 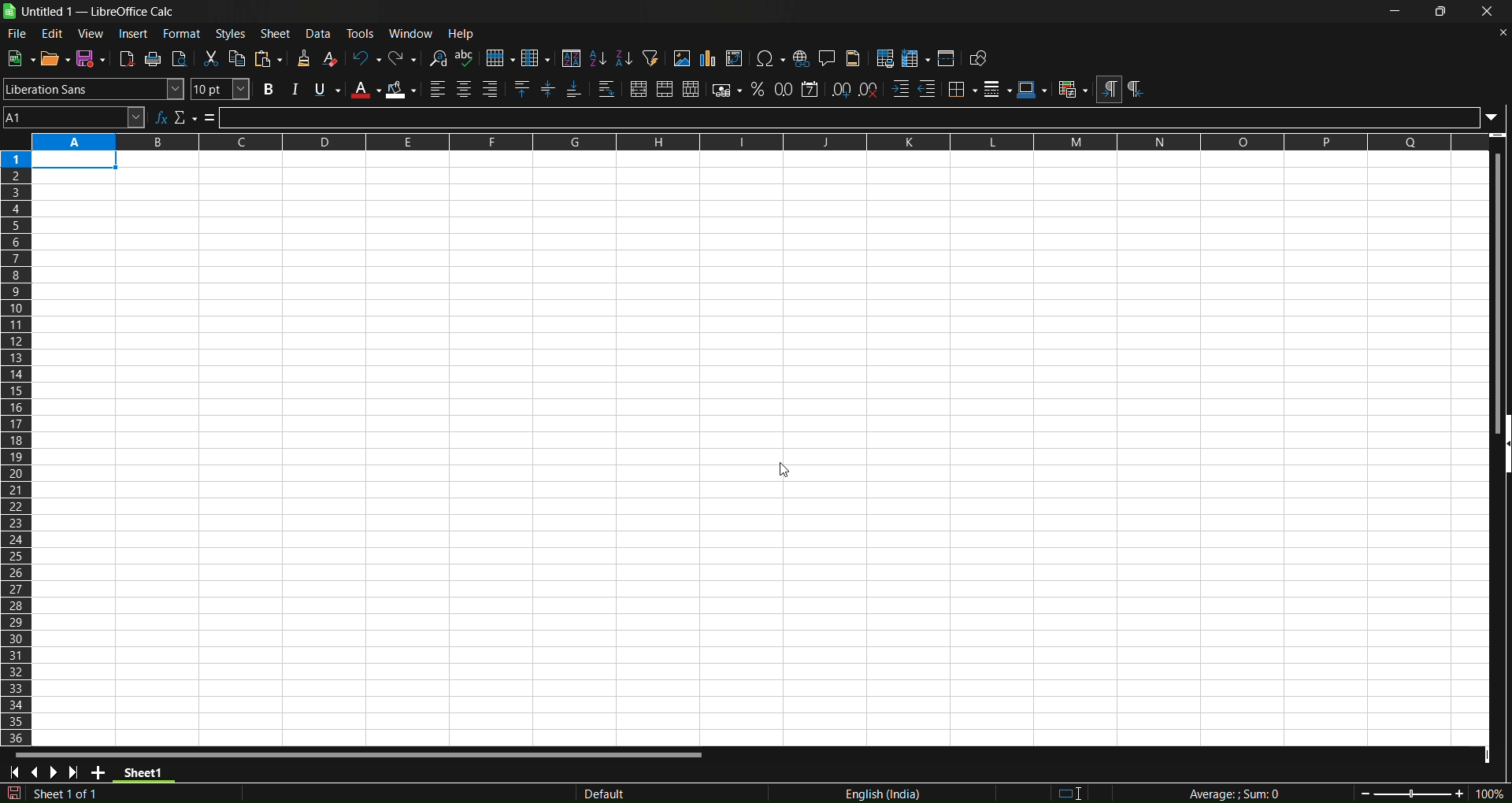 I want to click on freeze rows and columns, so click(x=916, y=58).